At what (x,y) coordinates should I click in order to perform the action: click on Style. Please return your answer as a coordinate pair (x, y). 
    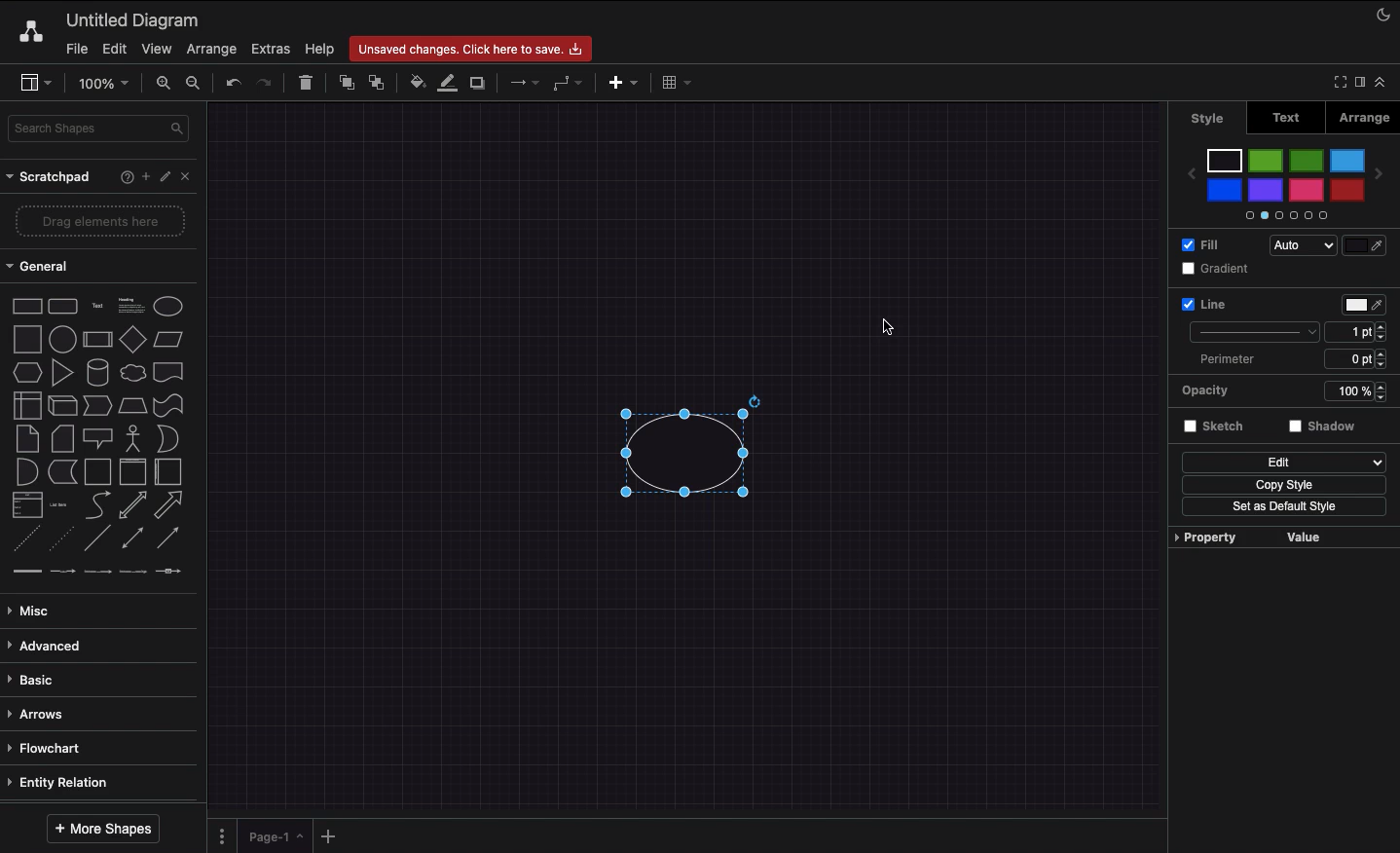
    Looking at the image, I should click on (1207, 116).